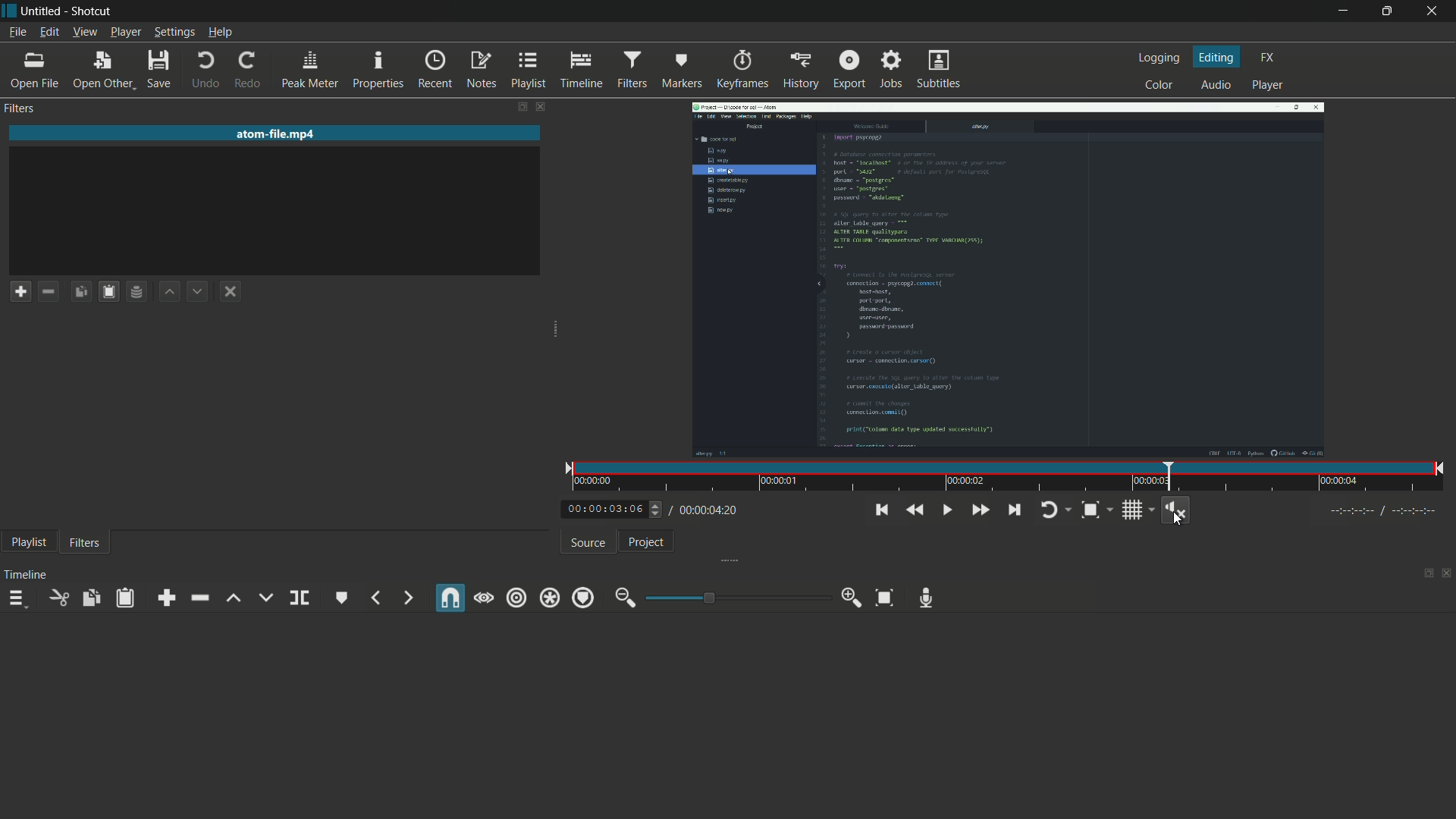 This screenshot has width=1456, height=819. Describe the element at coordinates (881, 510) in the screenshot. I see `skip to the previous point` at that location.